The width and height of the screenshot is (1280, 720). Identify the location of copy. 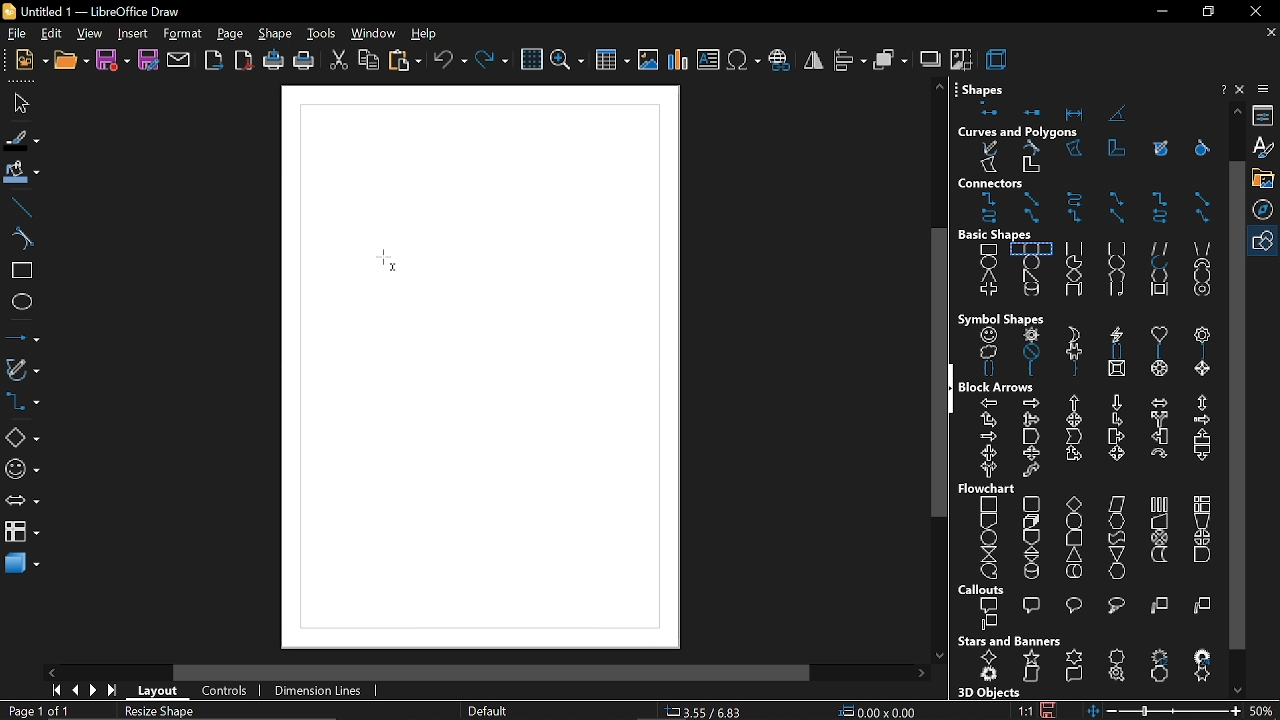
(369, 62).